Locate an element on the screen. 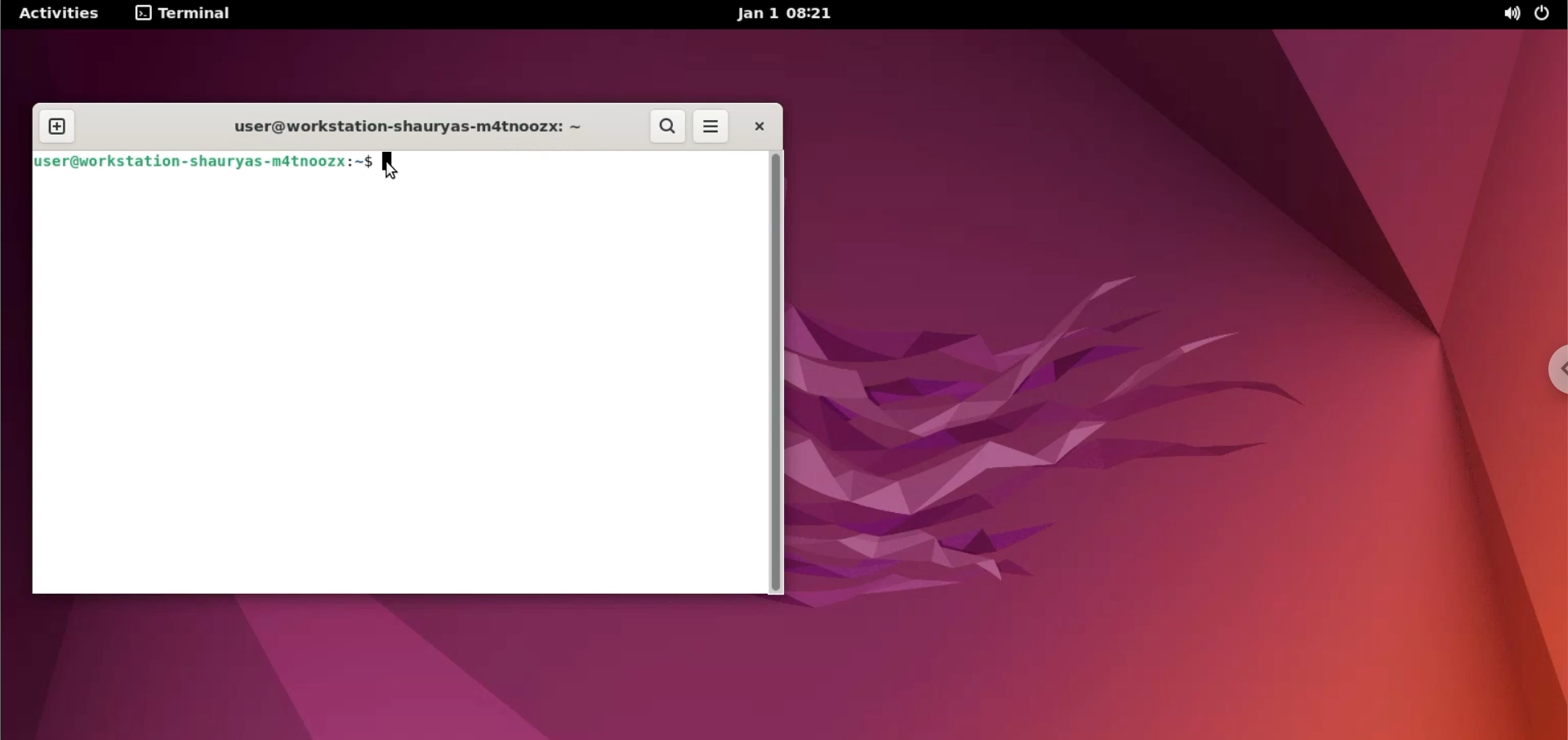 This screenshot has height=740, width=1568. power options is located at coordinates (1546, 15).